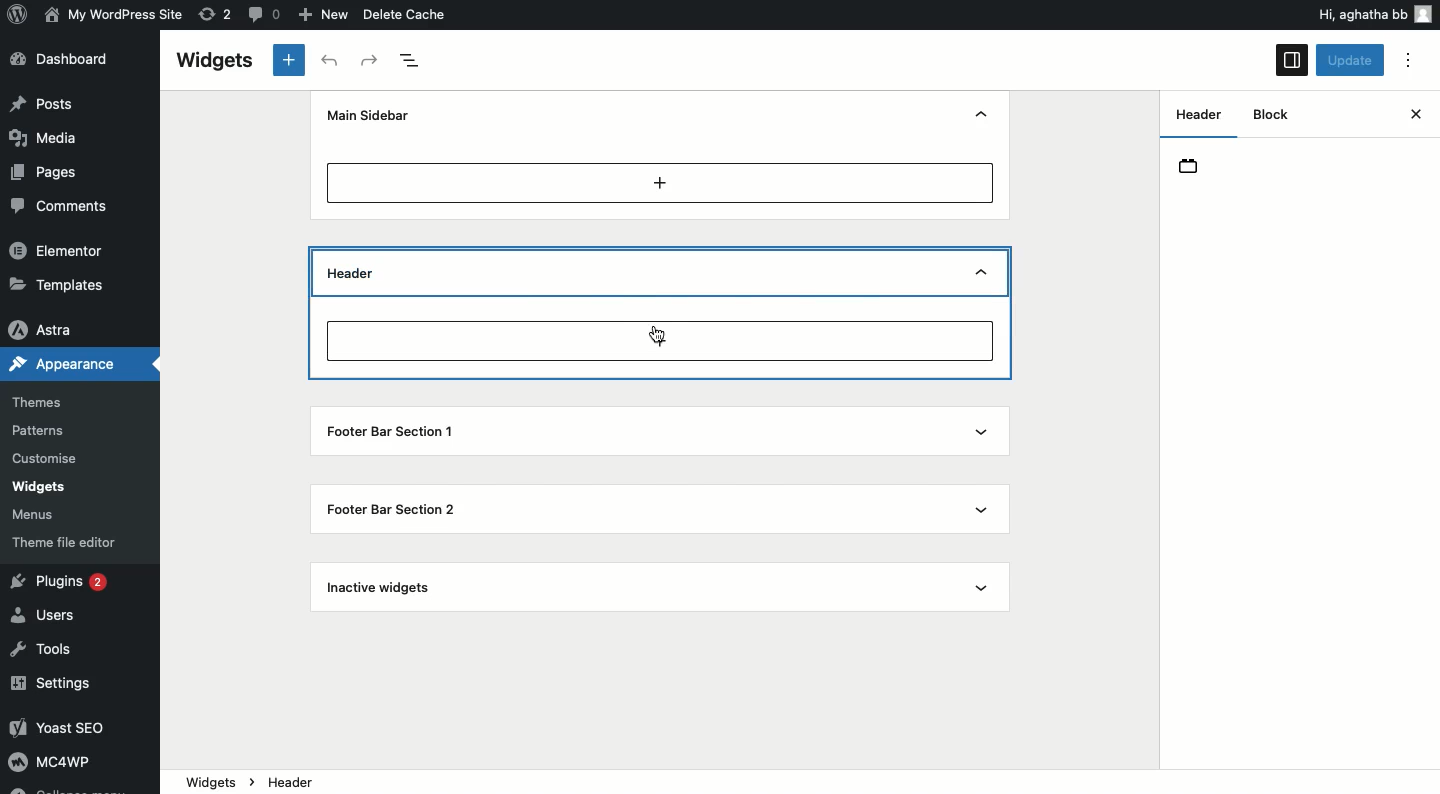 Image resolution: width=1440 pixels, height=794 pixels. What do you see at coordinates (53, 685) in the screenshot?
I see `Settings` at bounding box center [53, 685].